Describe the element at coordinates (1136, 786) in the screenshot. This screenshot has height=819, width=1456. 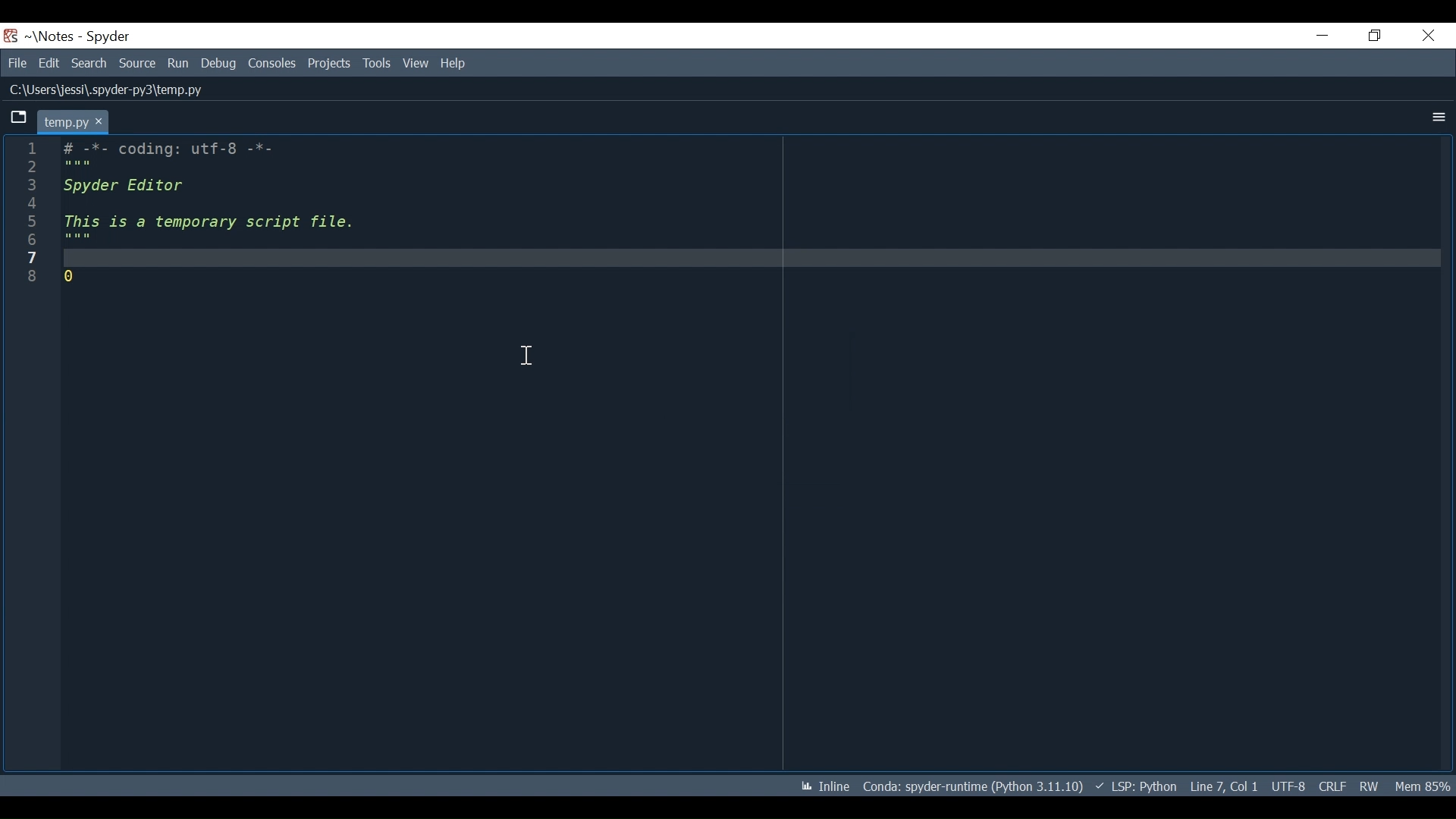
I see `LSP: Python` at that location.